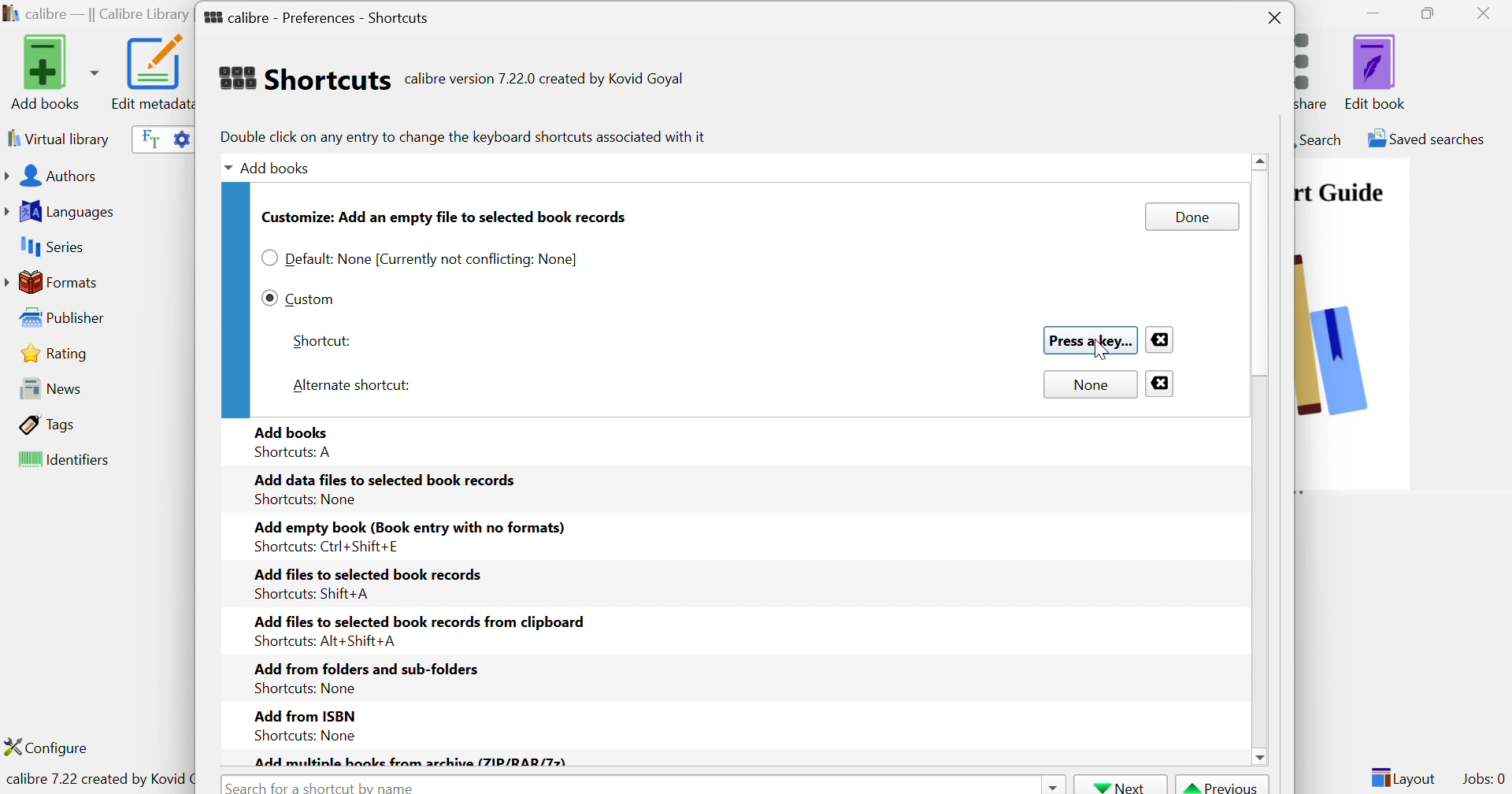 The height and width of the screenshot is (794, 1512). Describe the element at coordinates (321, 341) in the screenshot. I see `Shortcut` at that location.